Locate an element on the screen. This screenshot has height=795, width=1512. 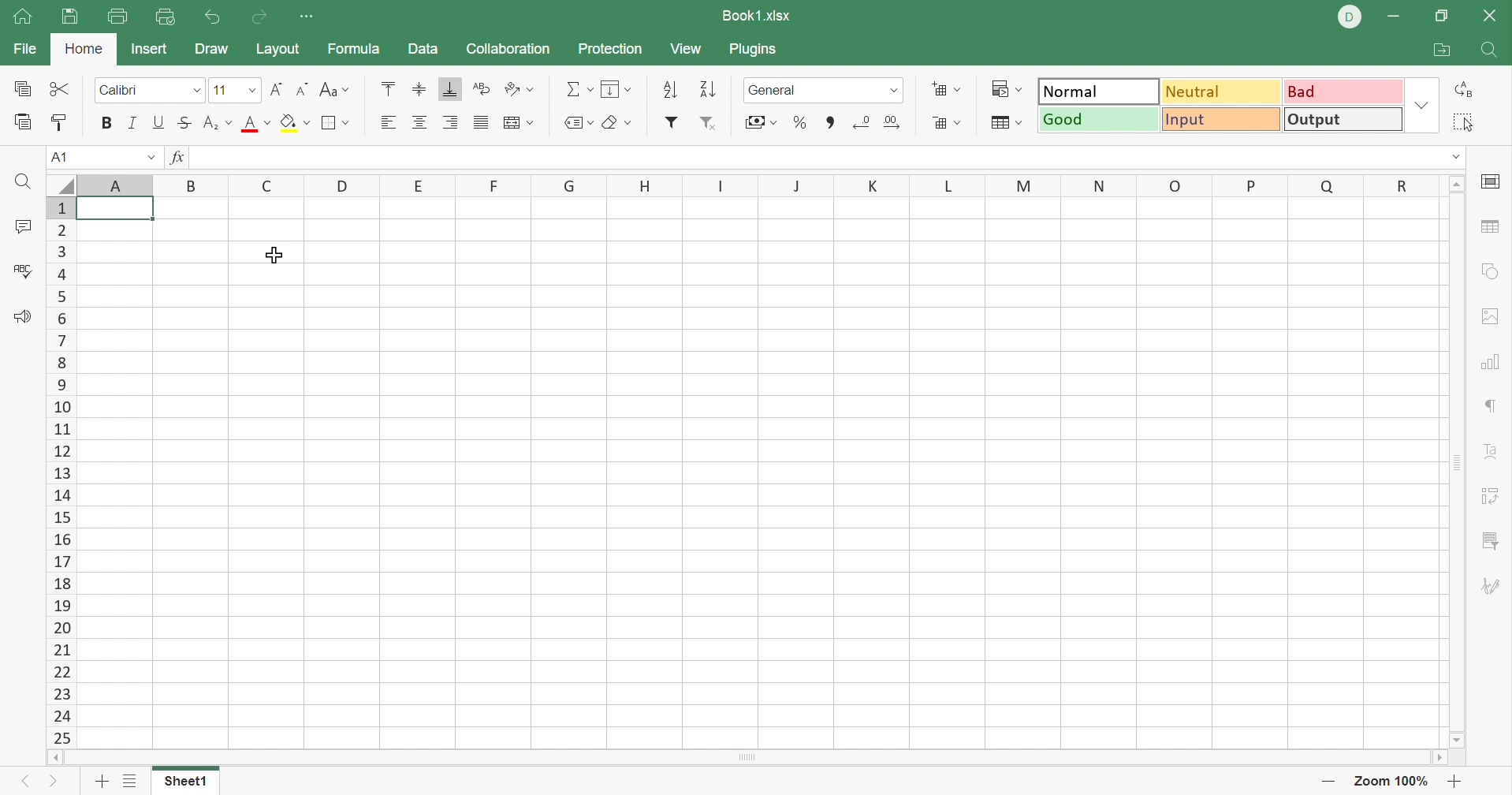
Orientation is located at coordinates (519, 88).